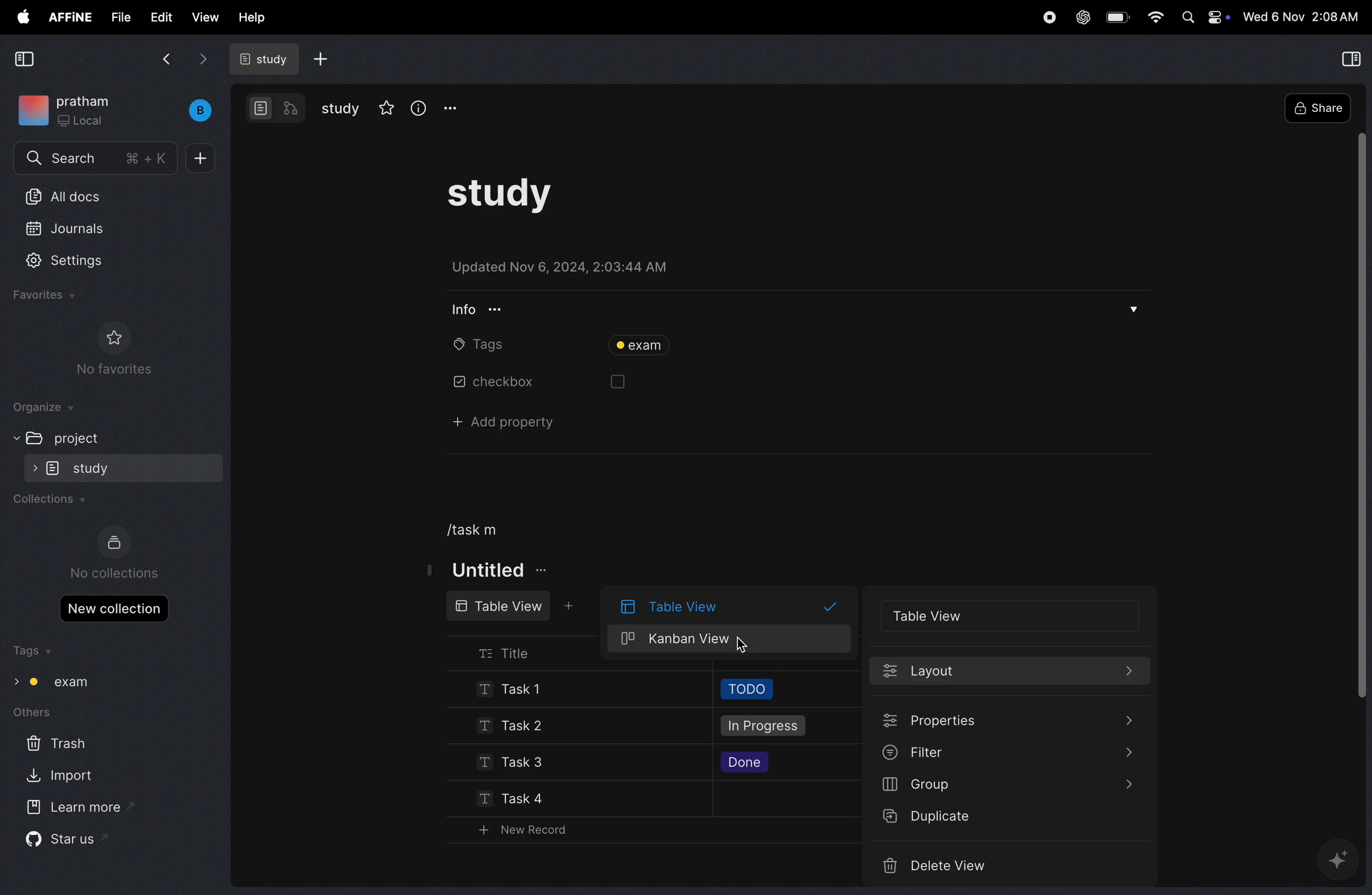 The image size is (1372, 895). What do you see at coordinates (518, 831) in the screenshot?
I see `new record` at bounding box center [518, 831].